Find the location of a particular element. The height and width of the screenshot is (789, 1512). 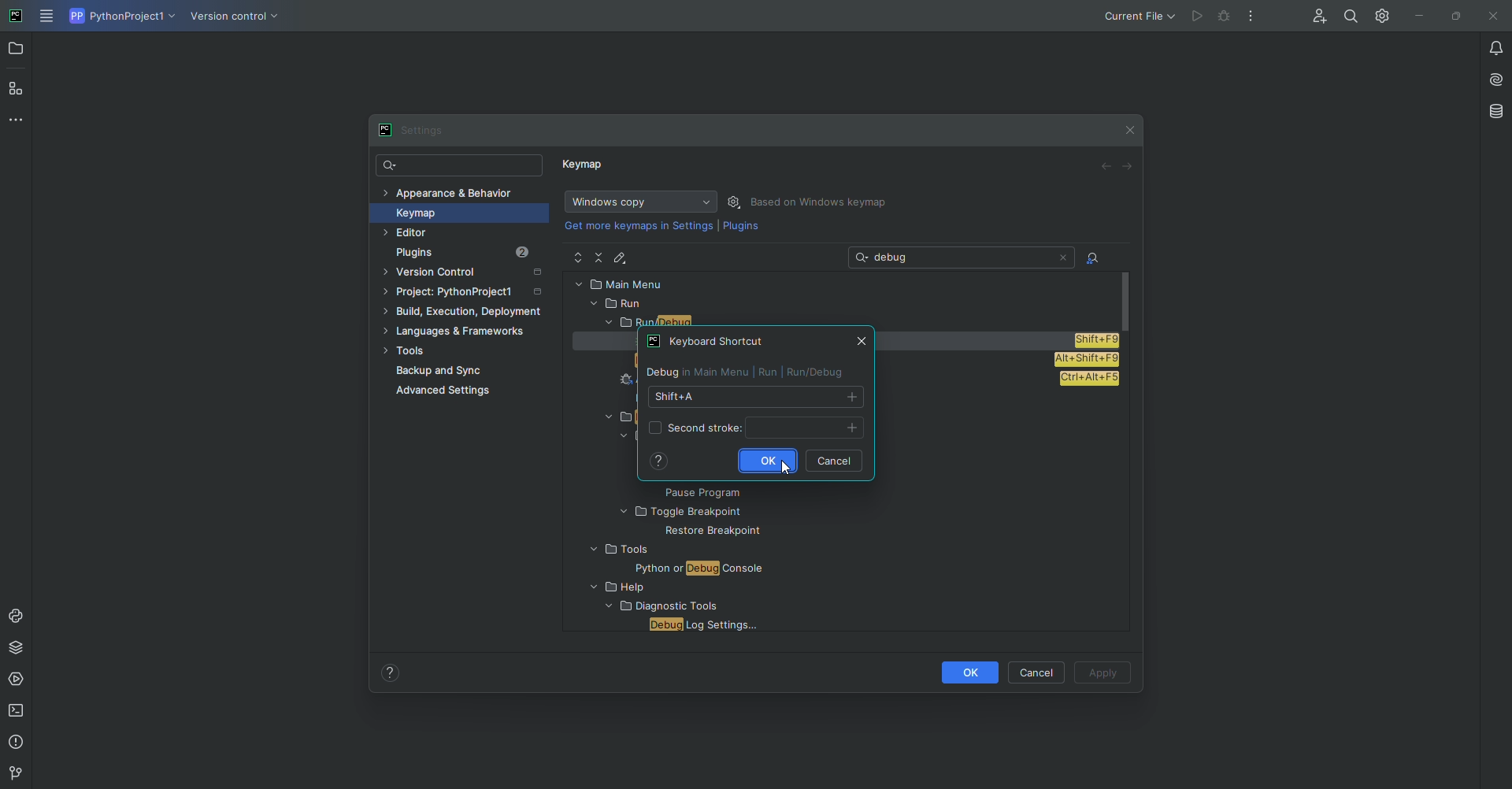

Settings is located at coordinates (1379, 15).